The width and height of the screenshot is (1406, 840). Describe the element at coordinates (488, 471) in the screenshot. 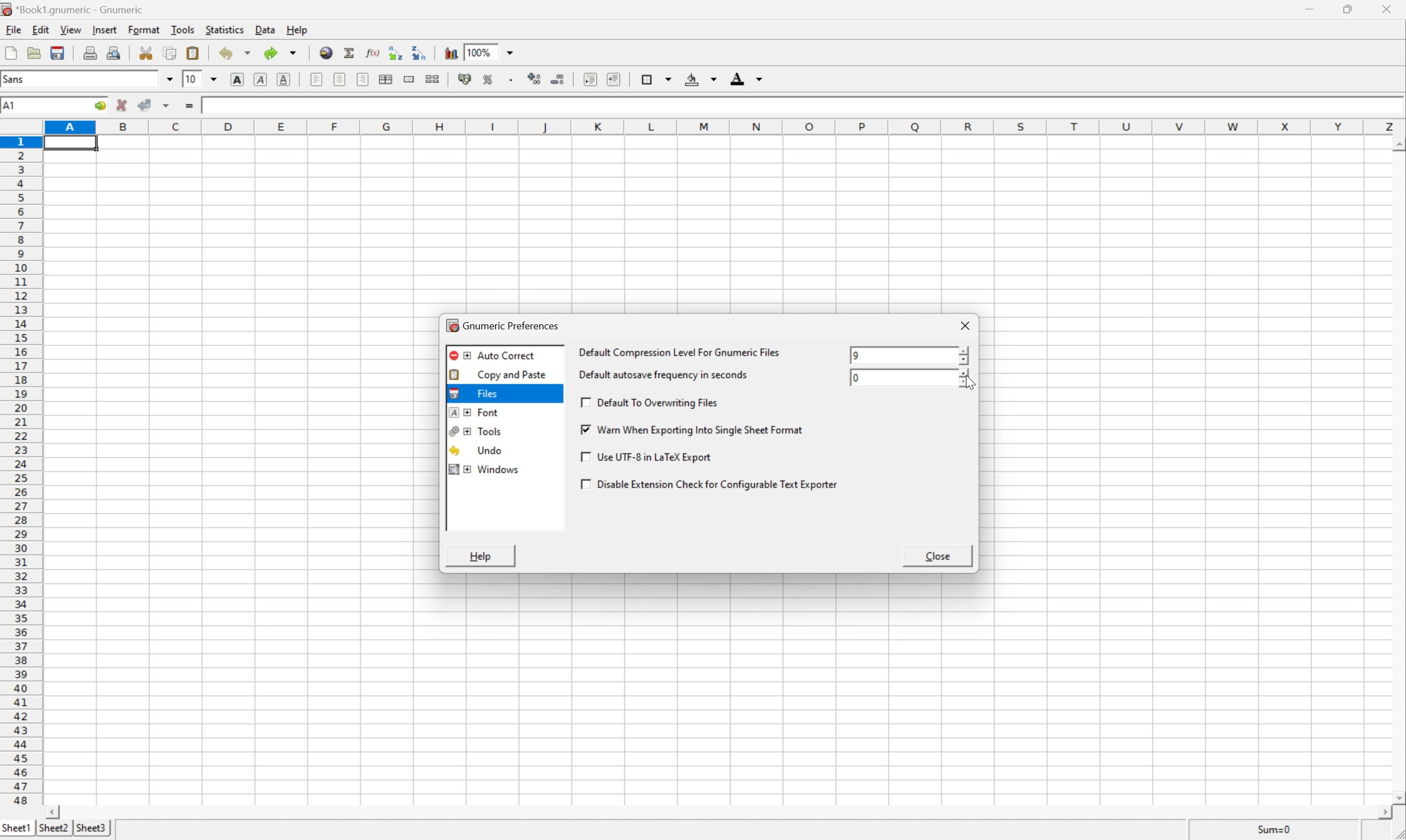

I see `windows` at that location.